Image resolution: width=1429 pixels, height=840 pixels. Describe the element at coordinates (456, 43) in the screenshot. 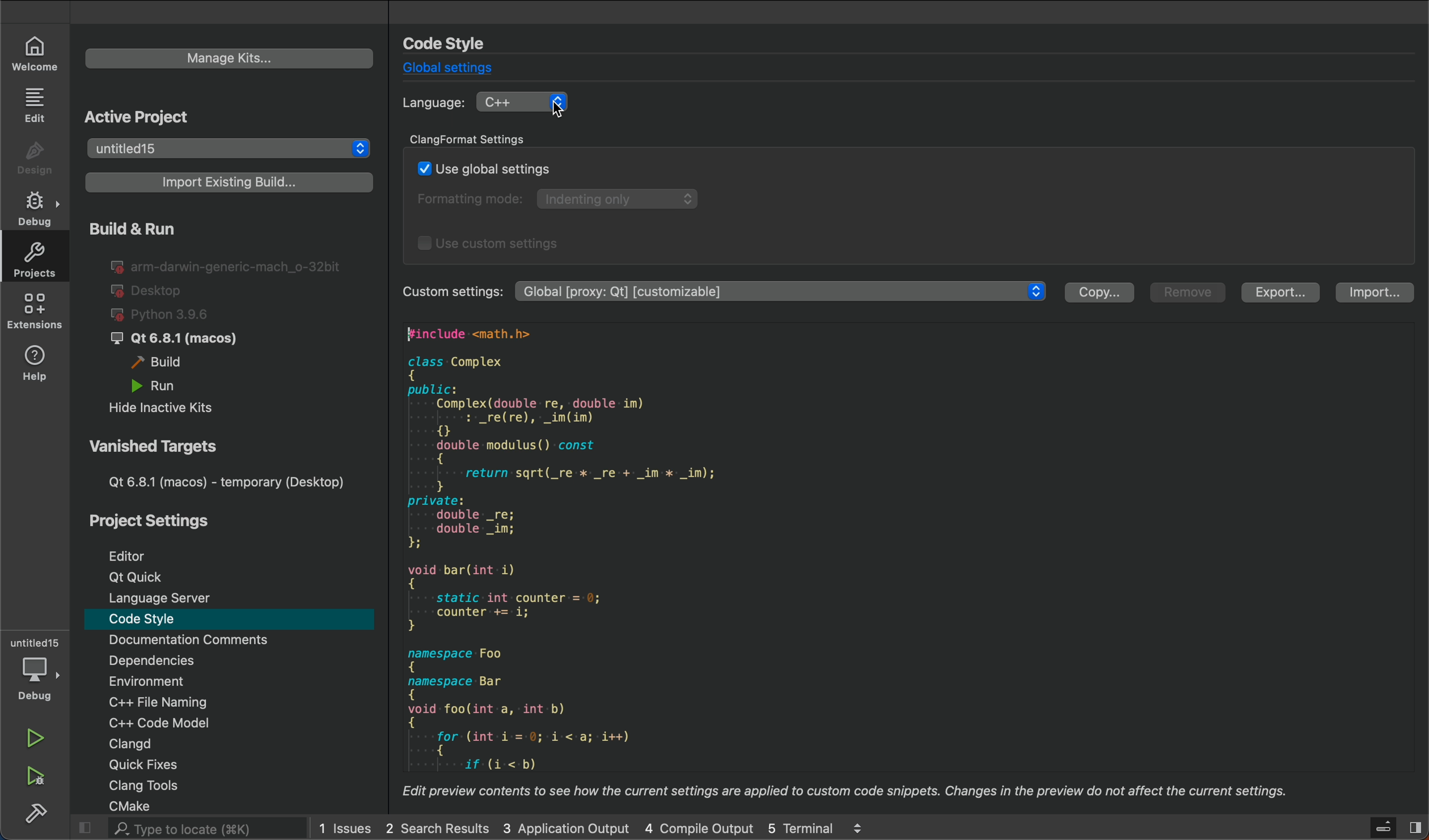

I see `code style` at that location.